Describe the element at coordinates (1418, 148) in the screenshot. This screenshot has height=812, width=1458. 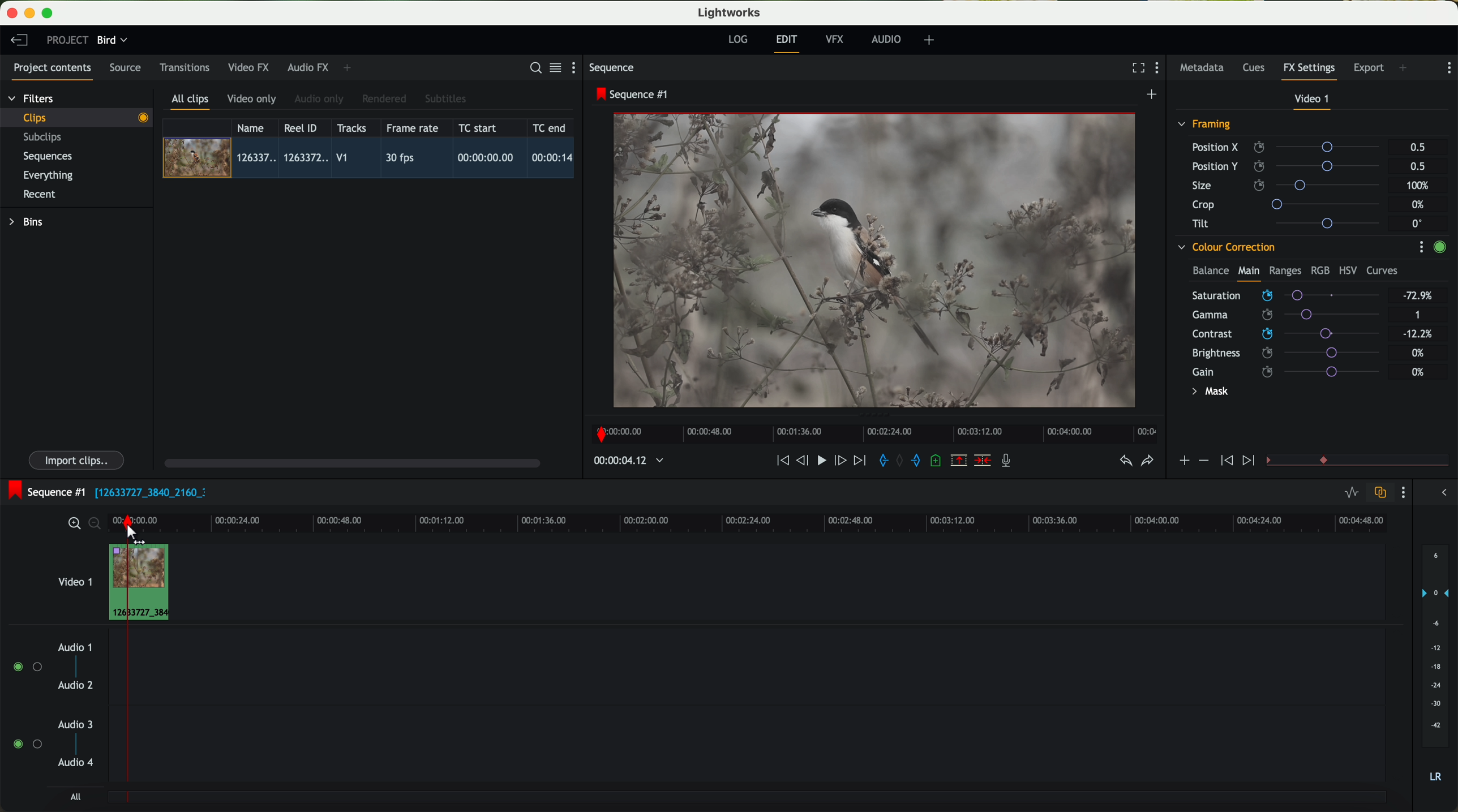
I see `0.5` at that location.